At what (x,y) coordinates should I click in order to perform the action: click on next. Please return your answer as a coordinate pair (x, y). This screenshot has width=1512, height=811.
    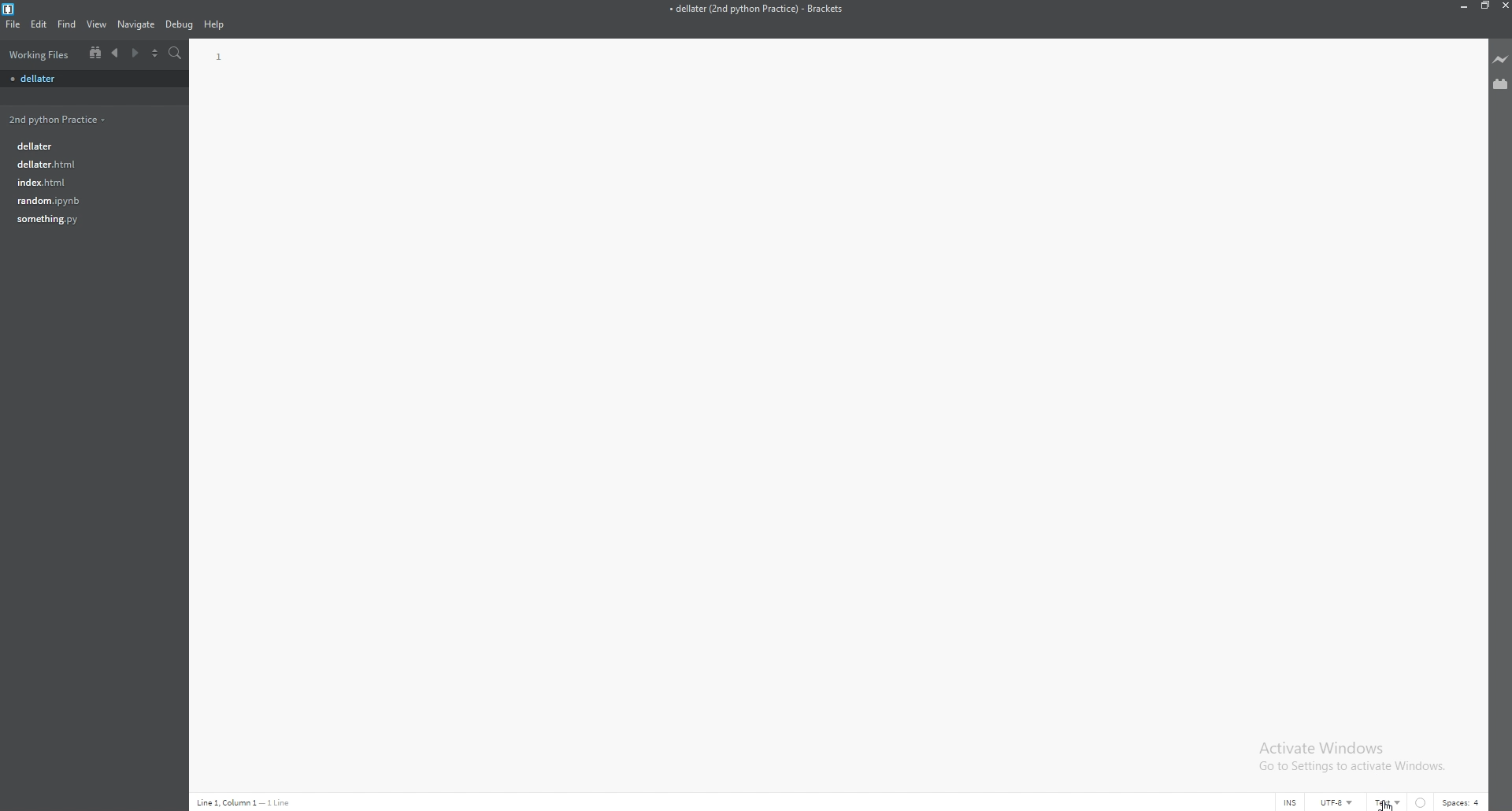
    Looking at the image, I should click on (136, 53).